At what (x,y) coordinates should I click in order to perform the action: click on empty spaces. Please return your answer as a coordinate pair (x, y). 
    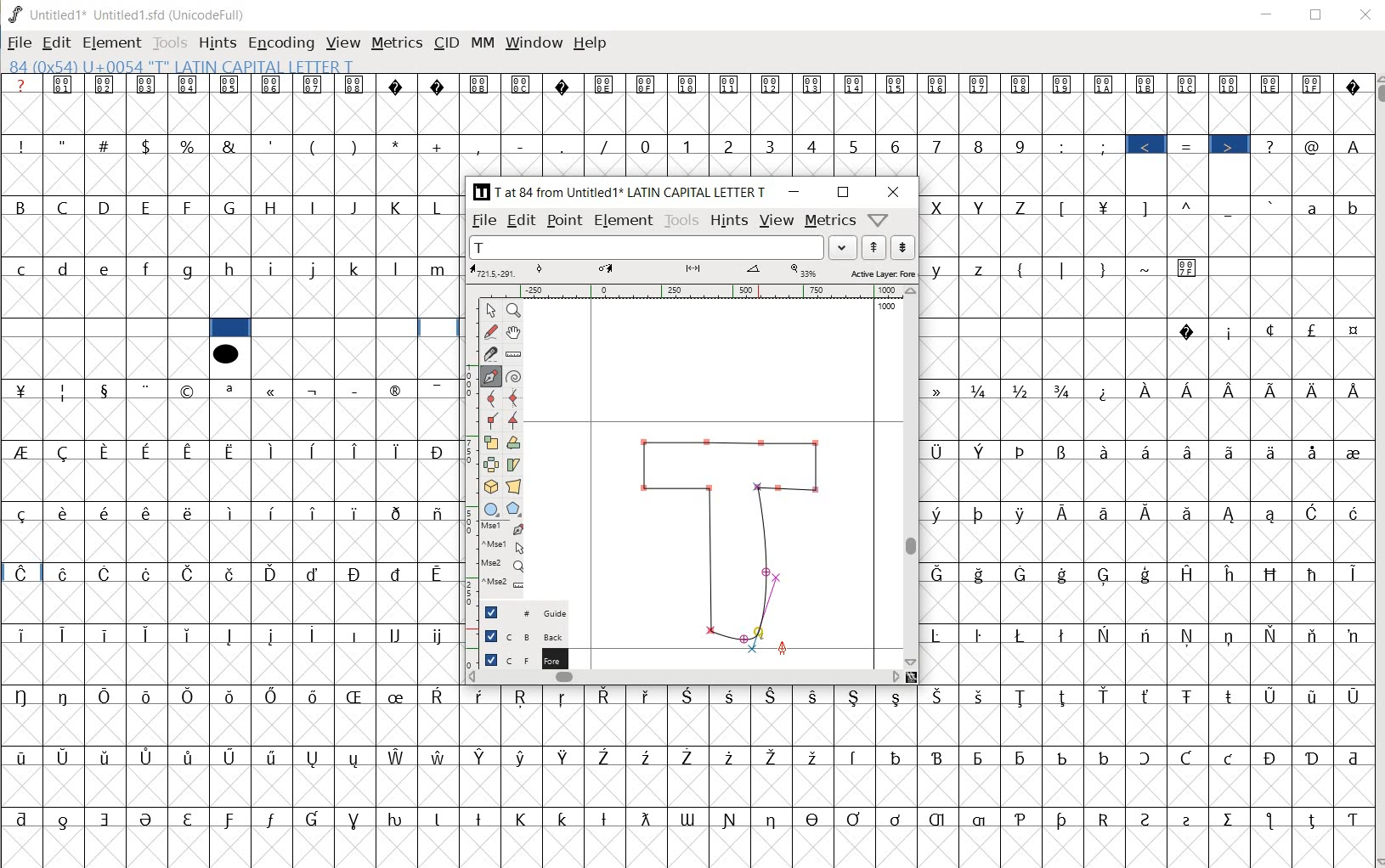
    Looking at the image, I should click on (1290, 268).